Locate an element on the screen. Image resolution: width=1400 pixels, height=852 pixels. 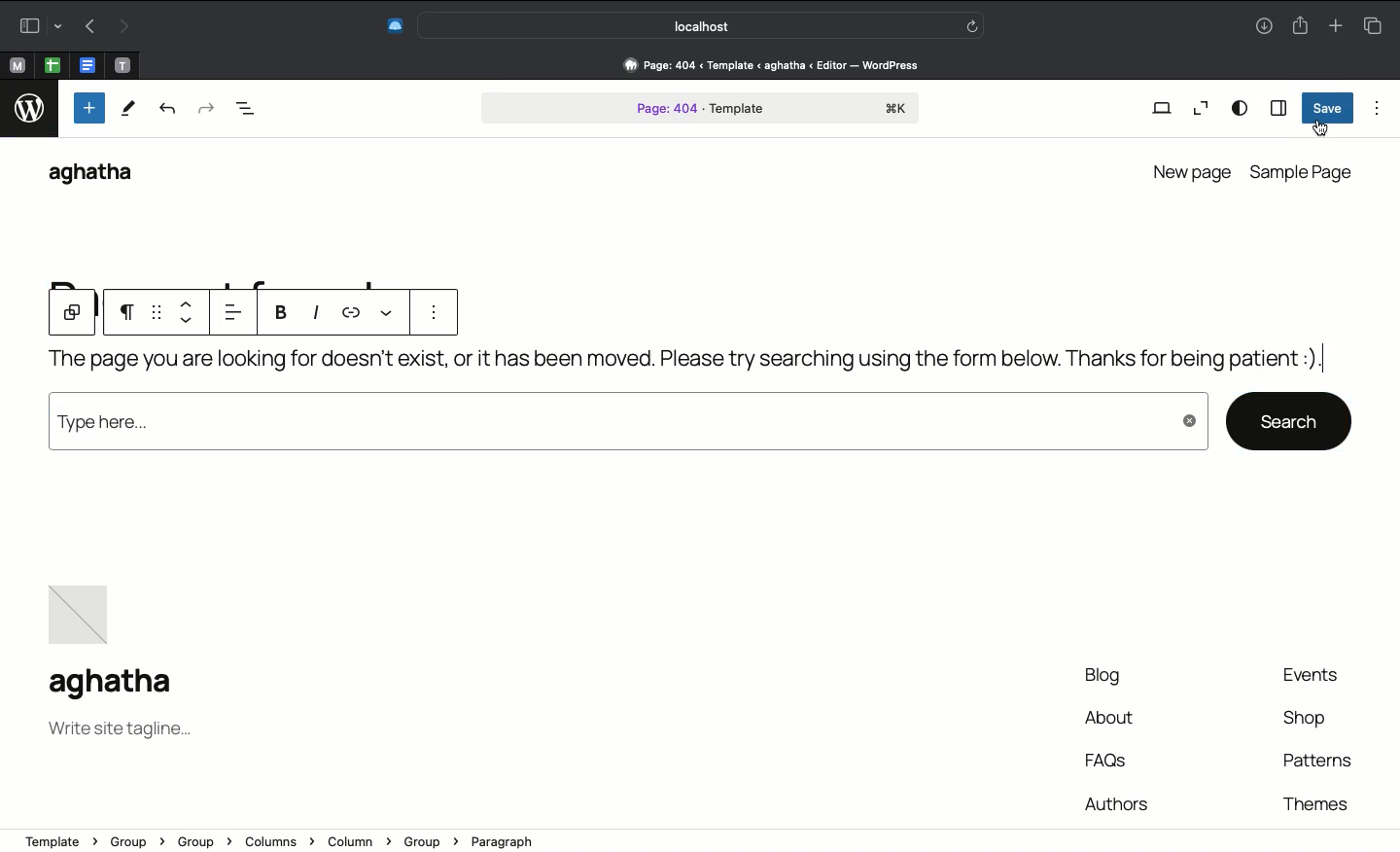
Undo is located at coordinates (169, 112).